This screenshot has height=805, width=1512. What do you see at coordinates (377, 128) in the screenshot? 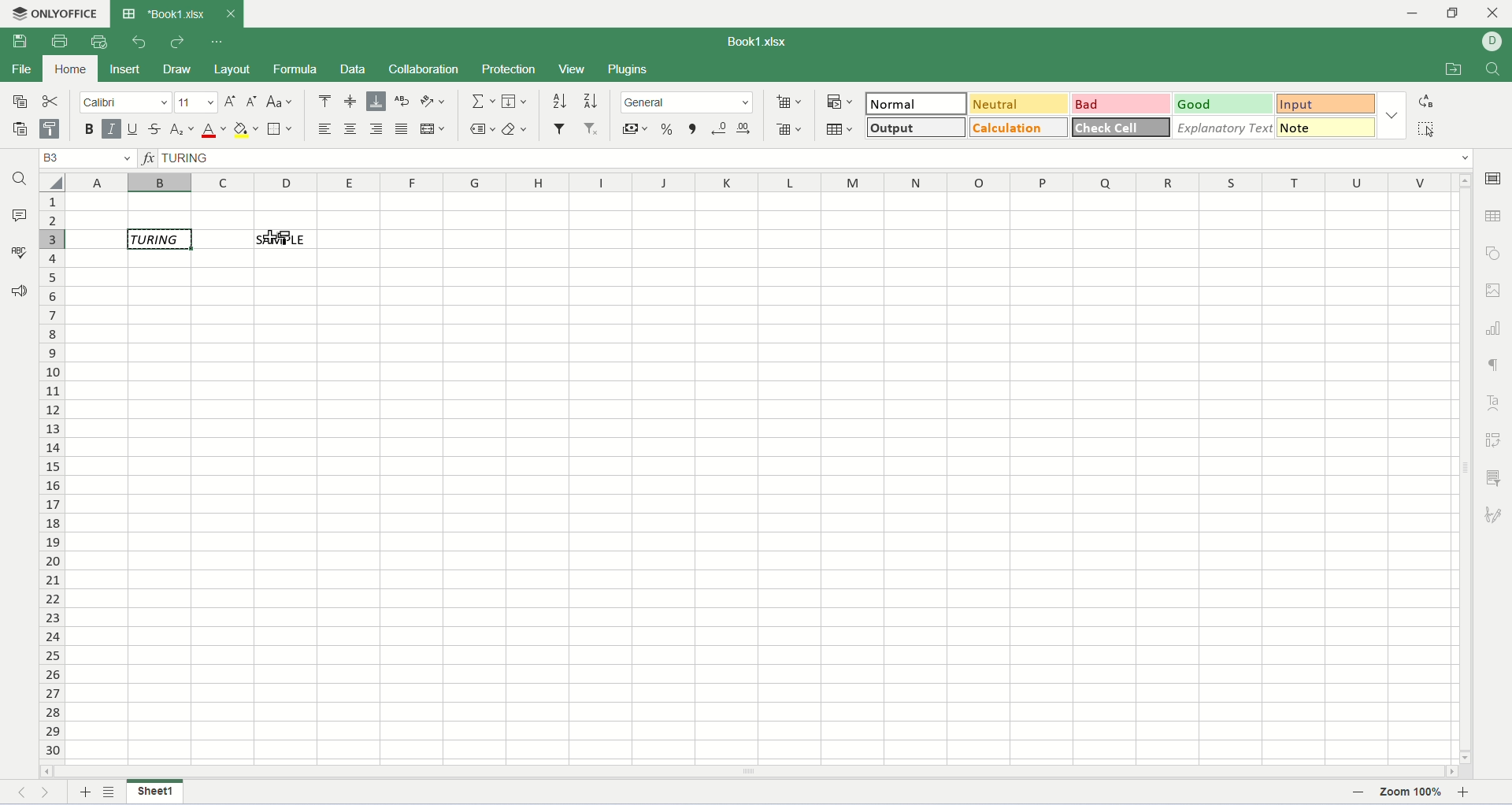
I see `align right` at bounding box center [377, 128].